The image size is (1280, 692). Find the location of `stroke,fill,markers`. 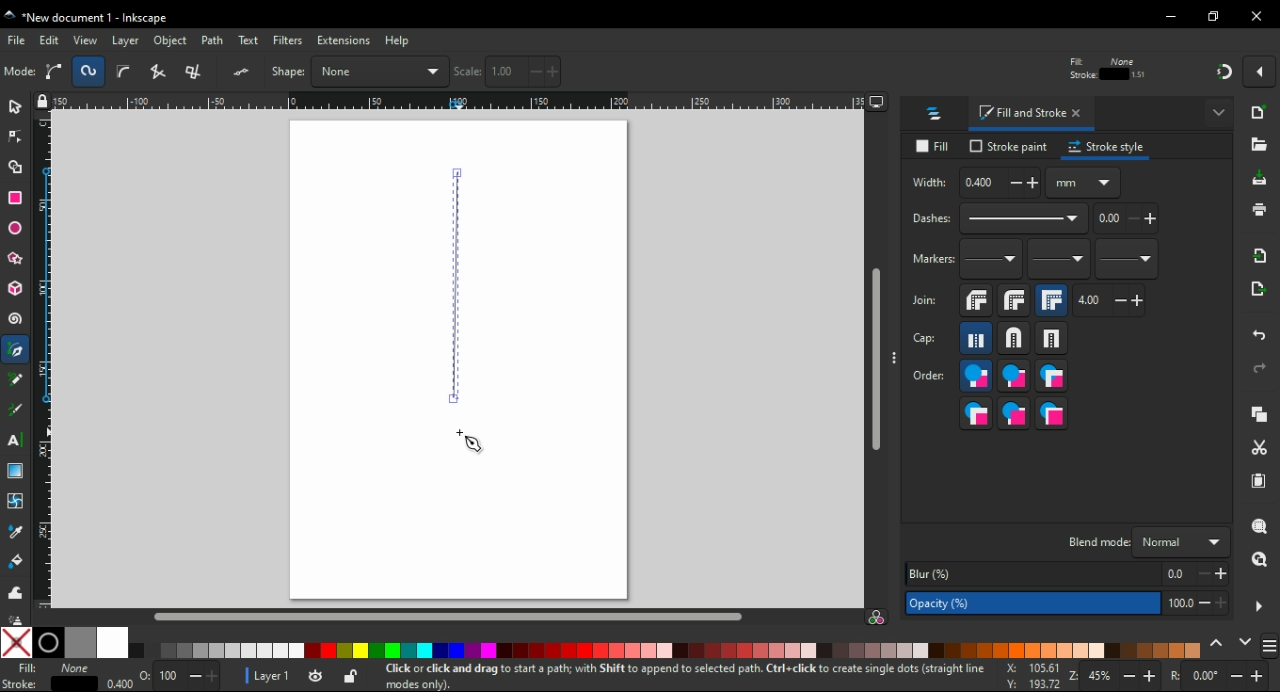

stroke,fill,markers is located at coordinates (1014, 377).